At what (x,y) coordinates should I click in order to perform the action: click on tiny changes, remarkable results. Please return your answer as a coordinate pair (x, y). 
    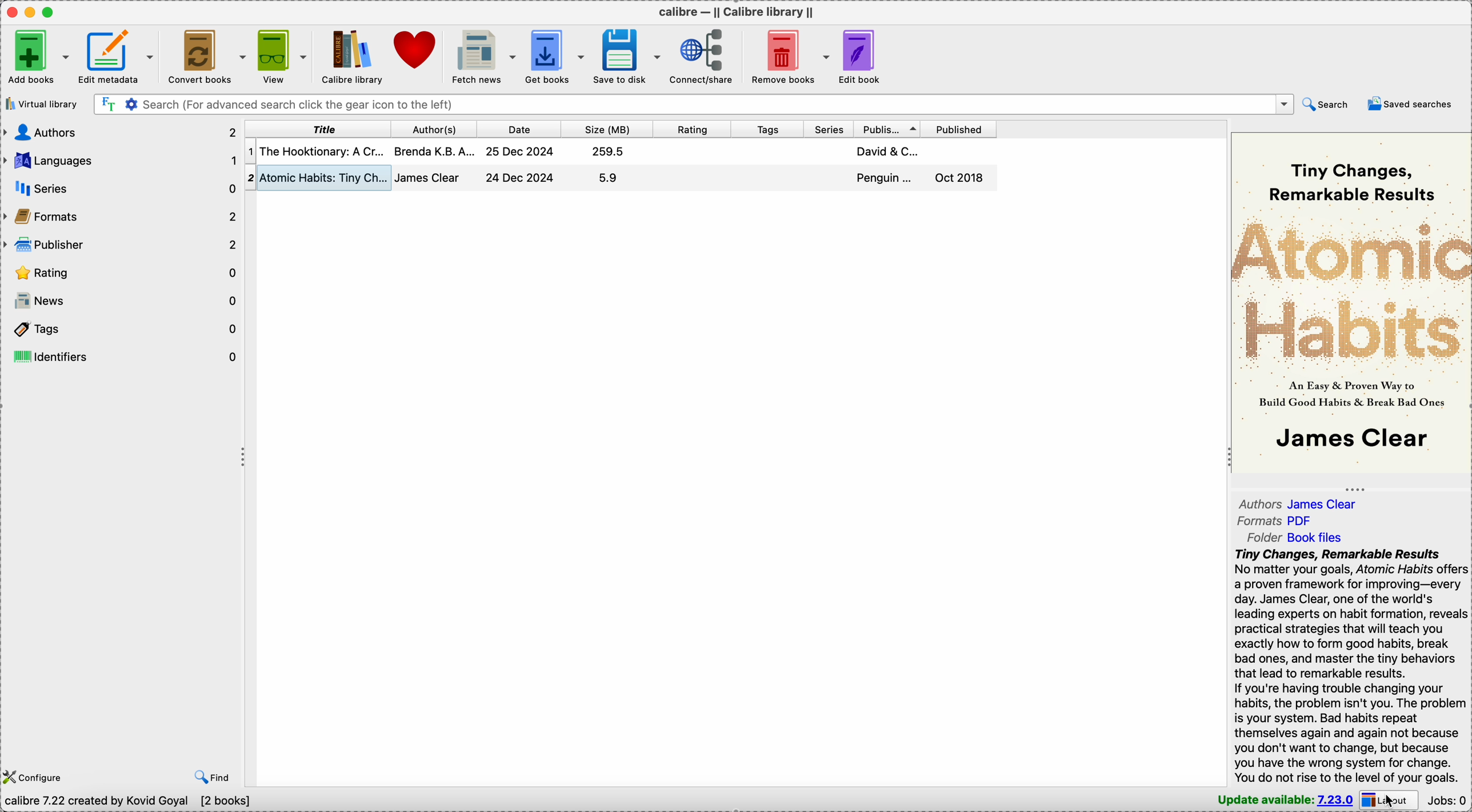
    Looking at the image, I should click on (1351, 182).